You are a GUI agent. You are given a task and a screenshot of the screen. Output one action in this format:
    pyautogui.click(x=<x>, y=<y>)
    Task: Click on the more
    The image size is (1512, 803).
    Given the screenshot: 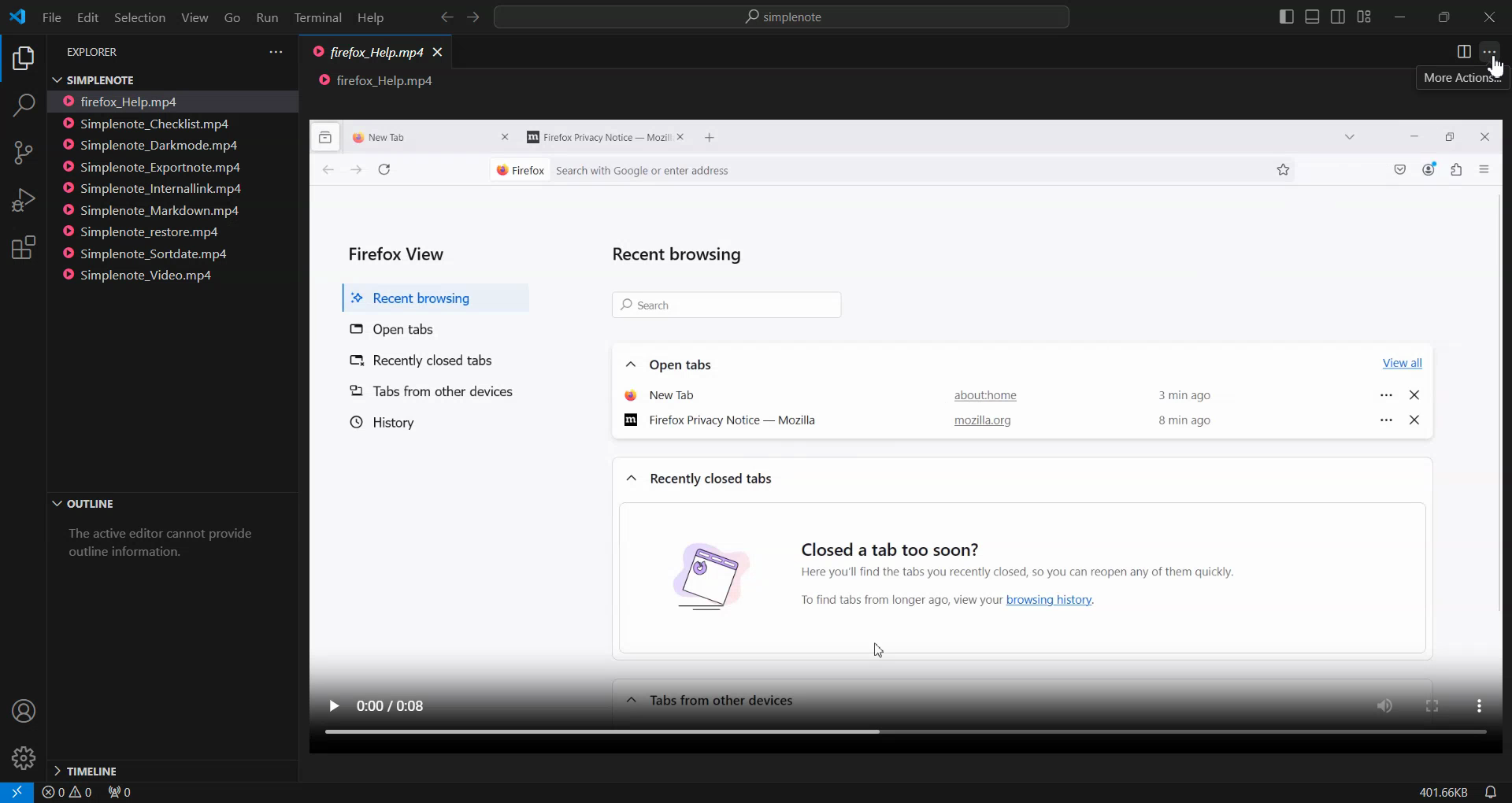 What is the action you would take?
    pyautogui.click(x=1387, y=391)
    